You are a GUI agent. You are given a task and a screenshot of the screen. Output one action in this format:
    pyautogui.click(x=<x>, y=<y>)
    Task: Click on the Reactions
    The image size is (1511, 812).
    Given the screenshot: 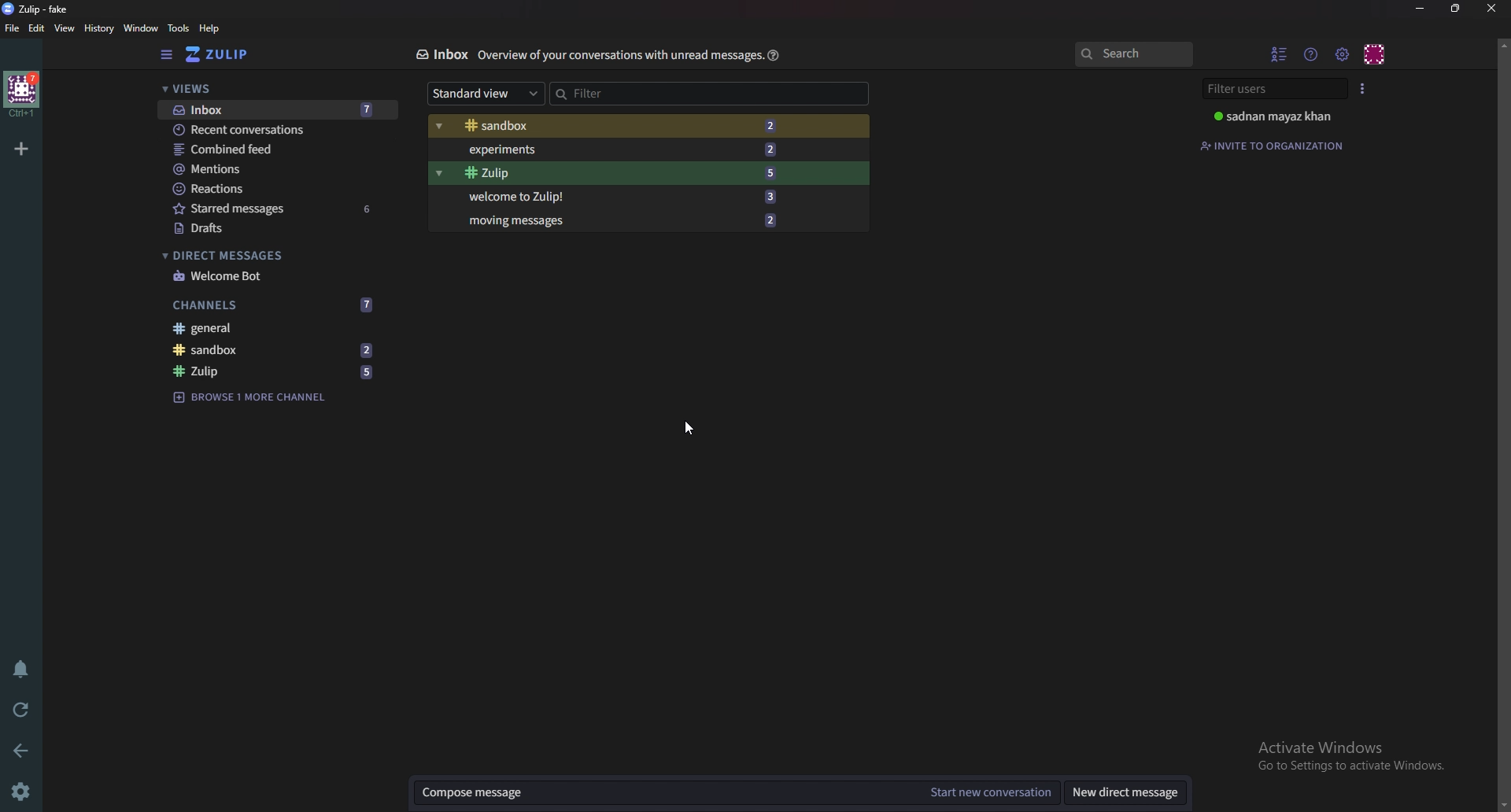 What is the action you would take?
    pyautogui.click(x=276, y=189)
    